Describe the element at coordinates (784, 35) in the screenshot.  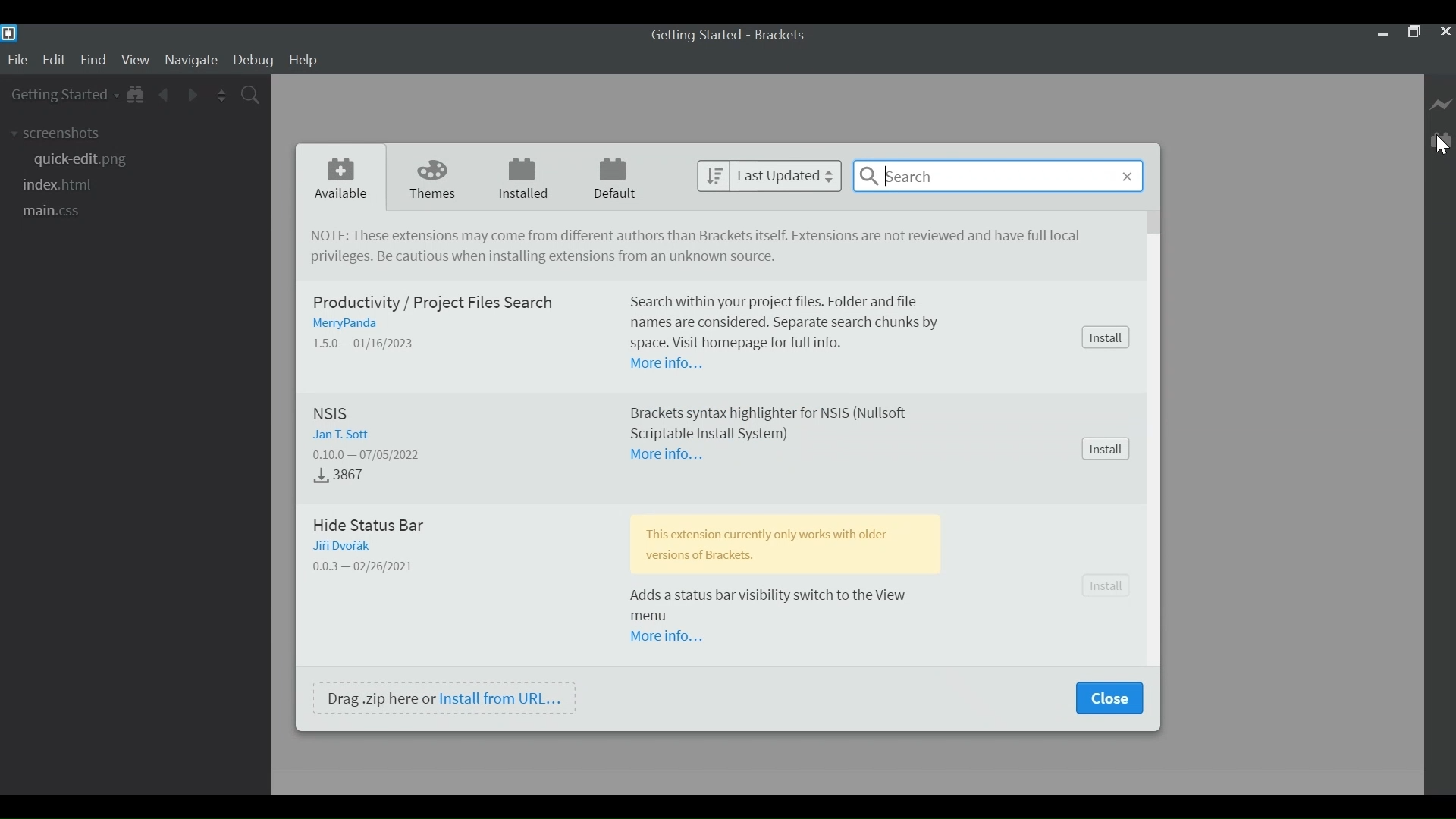
I see `Brackets` at that location.